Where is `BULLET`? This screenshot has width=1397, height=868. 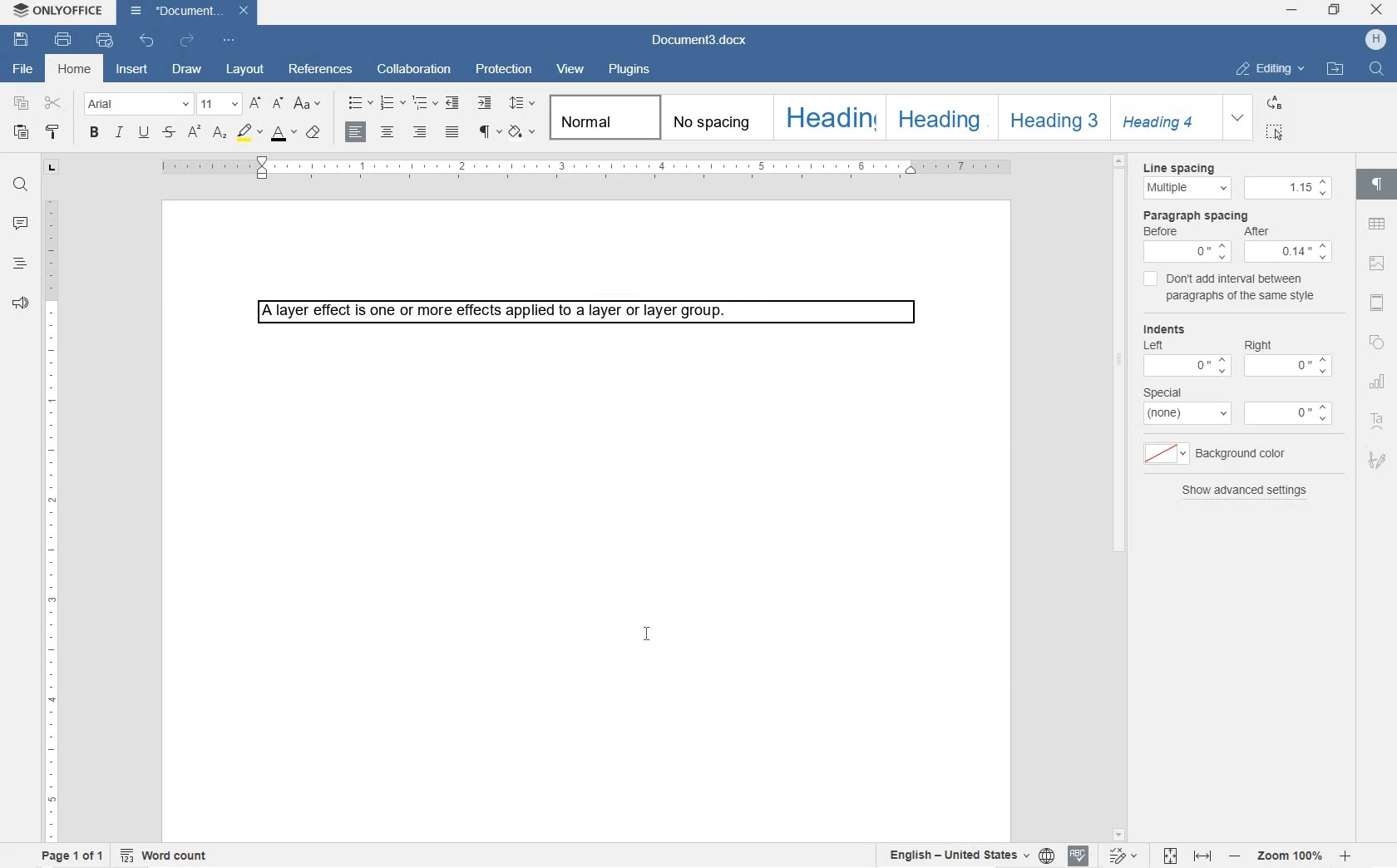
BULLET is located at coordinates (358, 104).